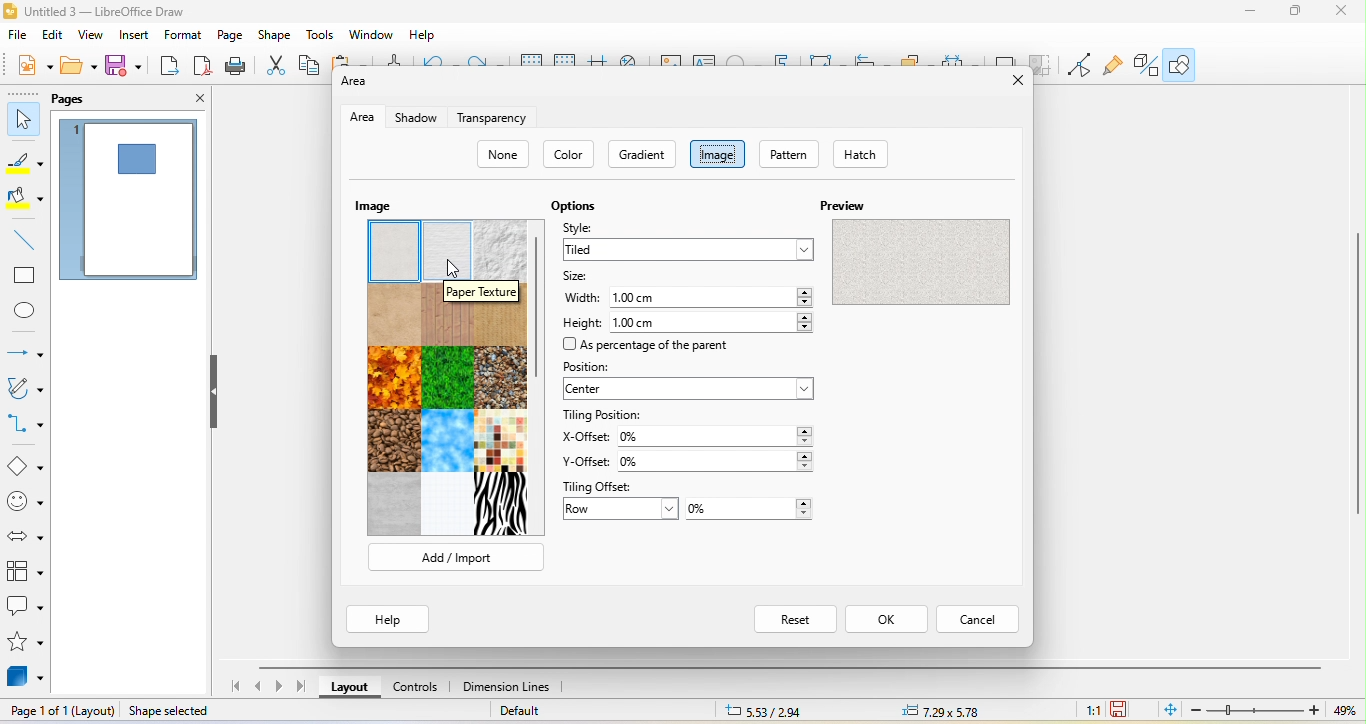 The width and height of the screenshot is (1366, 724). I want to click on shadow, so click(1004, 59).